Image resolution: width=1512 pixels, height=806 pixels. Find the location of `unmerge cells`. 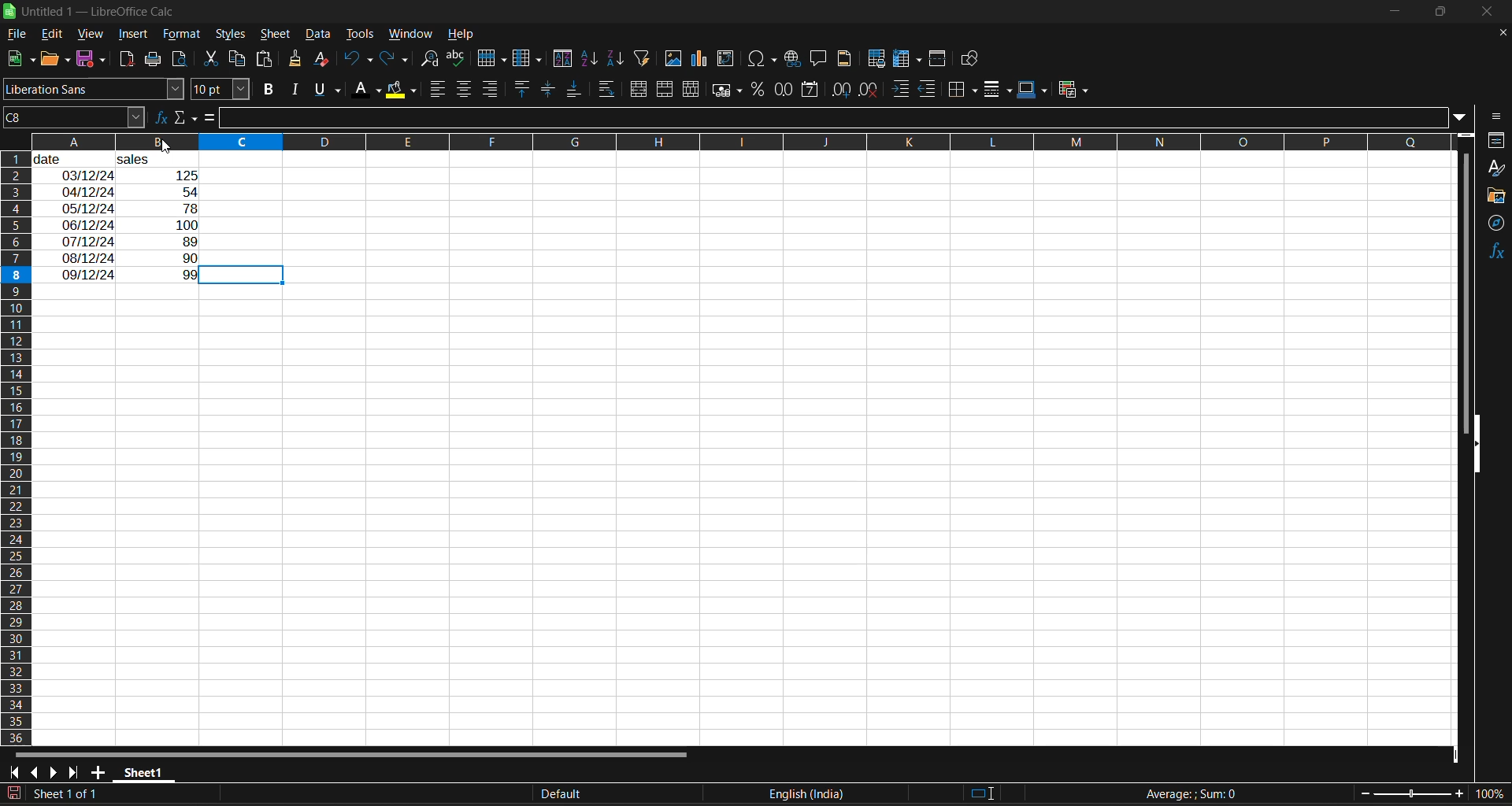

unmerge cells is located at coordinates (691, 91).